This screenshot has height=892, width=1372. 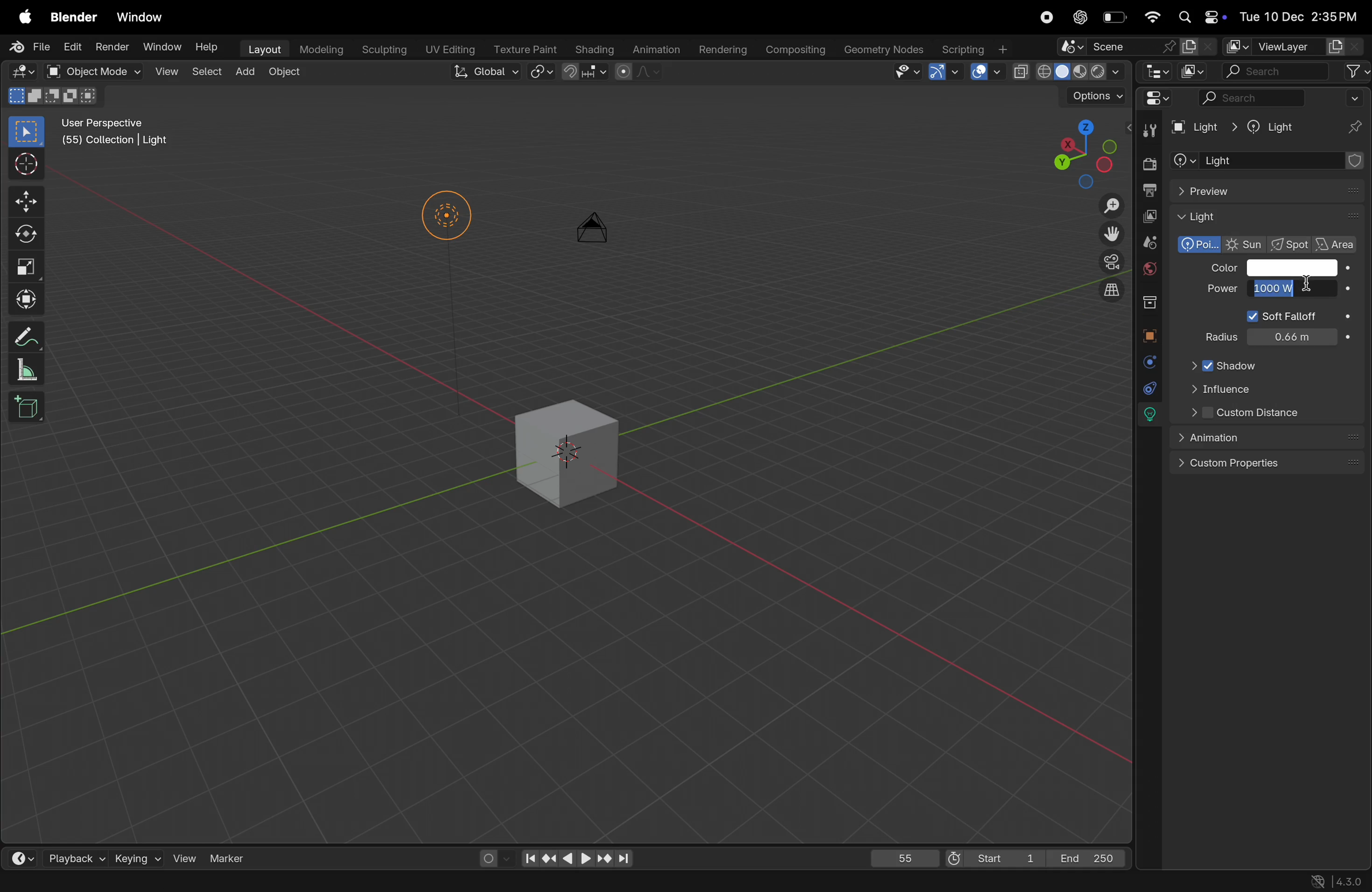 What do you see at coordinates (1156, 101) in the screenshot?
I see `Editor mode` at bounding box center [1156, 101].